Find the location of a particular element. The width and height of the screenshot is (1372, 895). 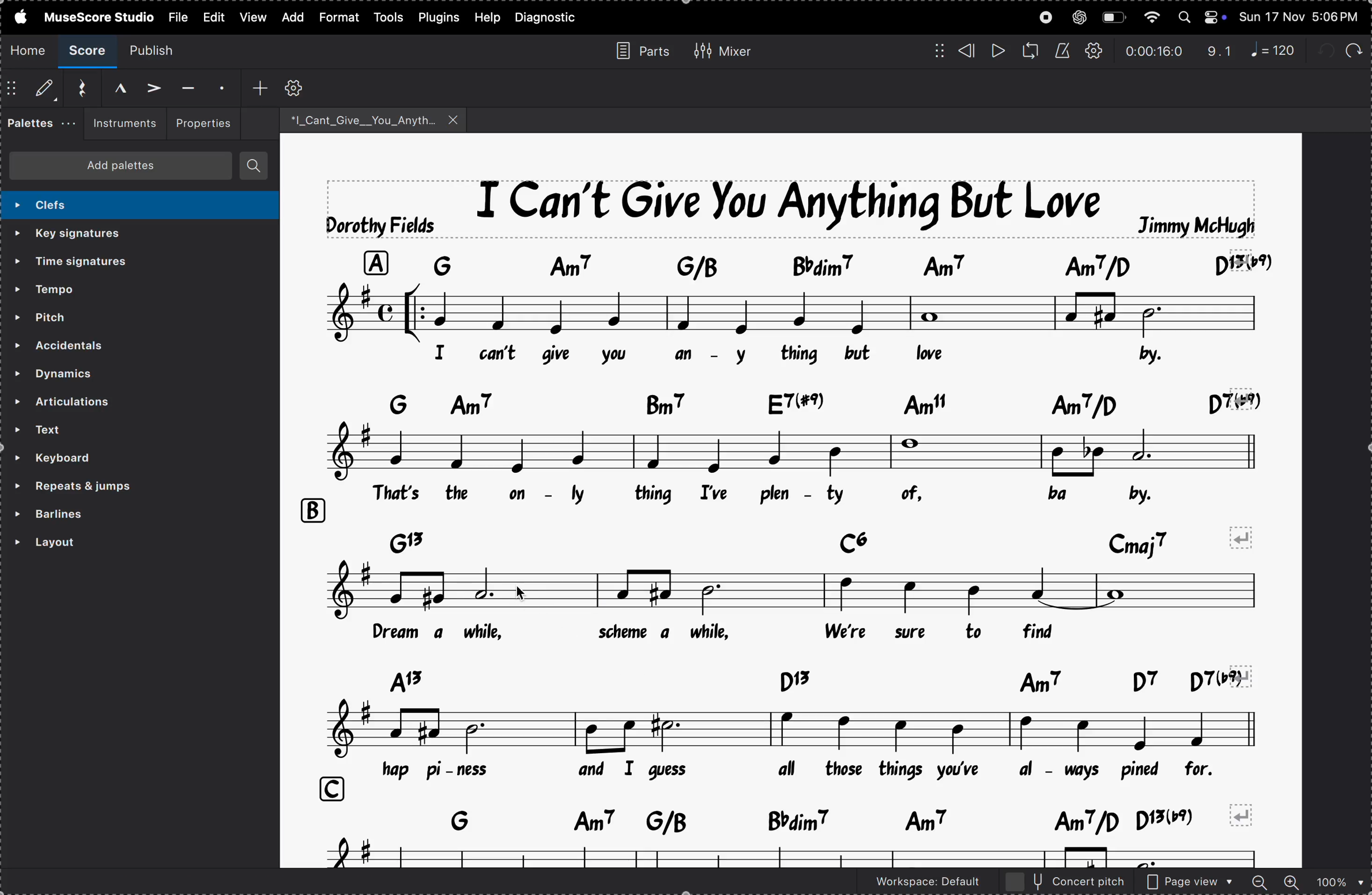

pitch is located at coordinates (77, 317).